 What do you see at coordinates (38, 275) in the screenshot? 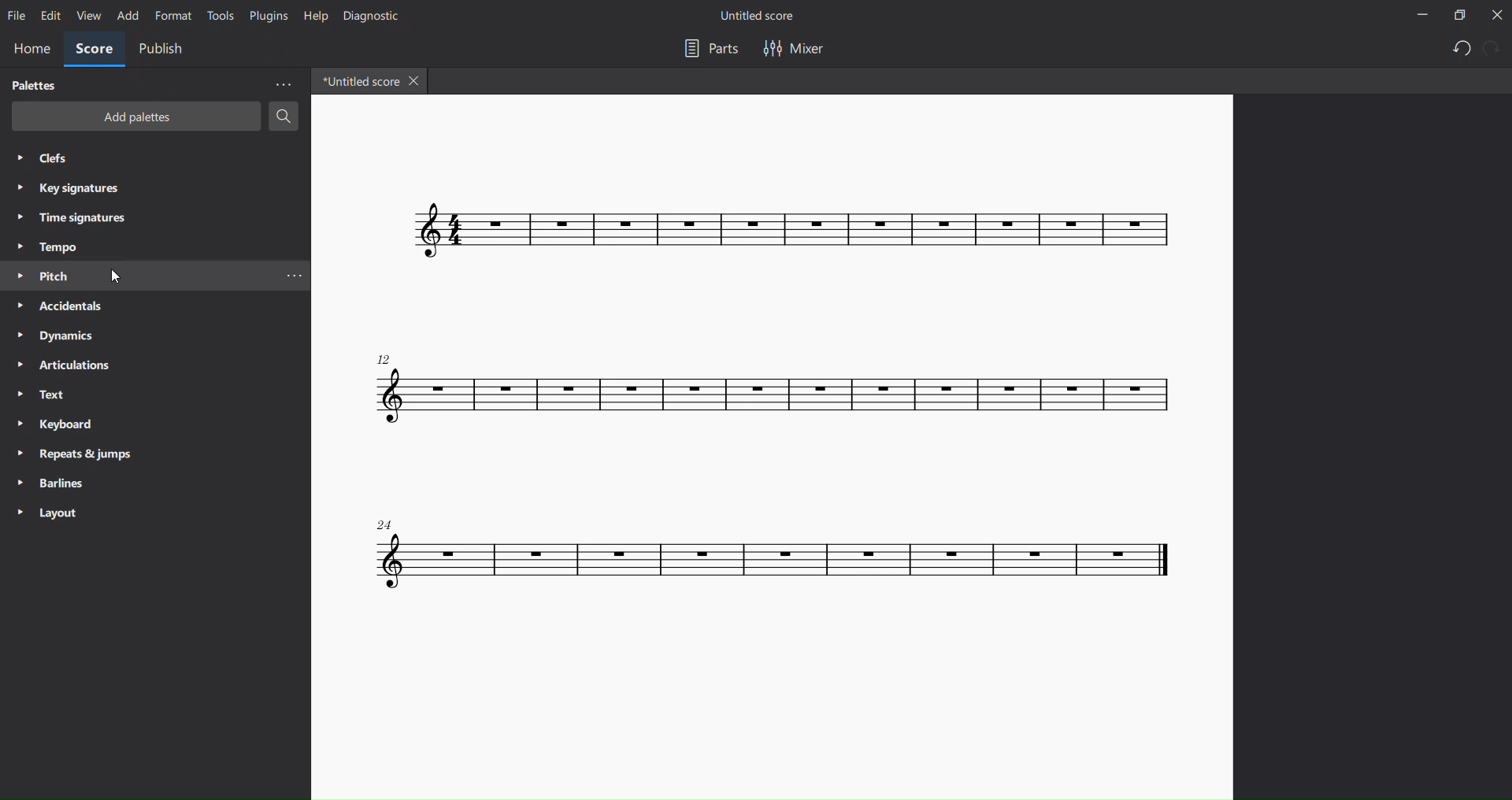
I see `pitch` at bounding box center [38, 275].